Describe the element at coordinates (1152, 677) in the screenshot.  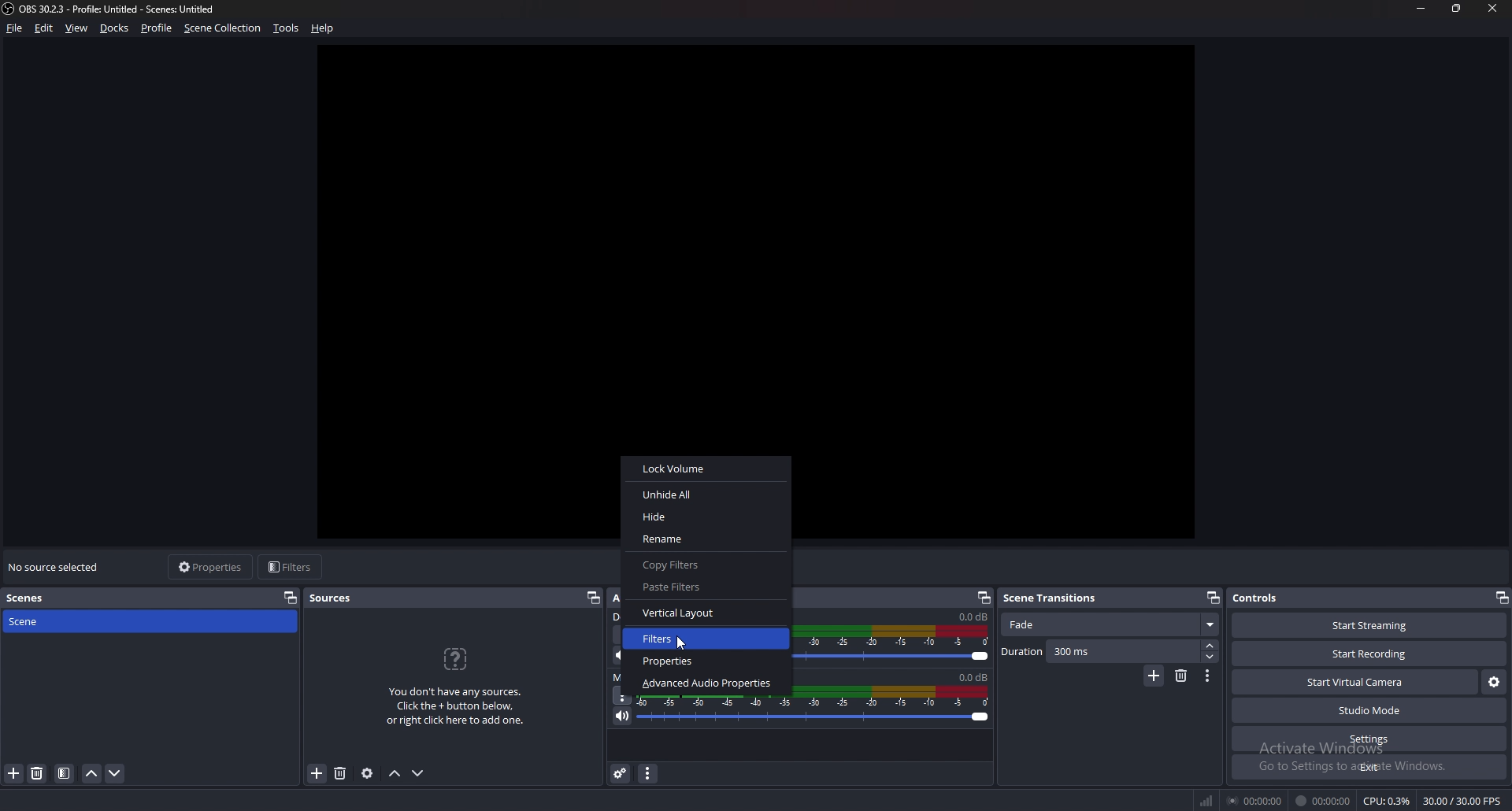
I see `add transition` at that location.